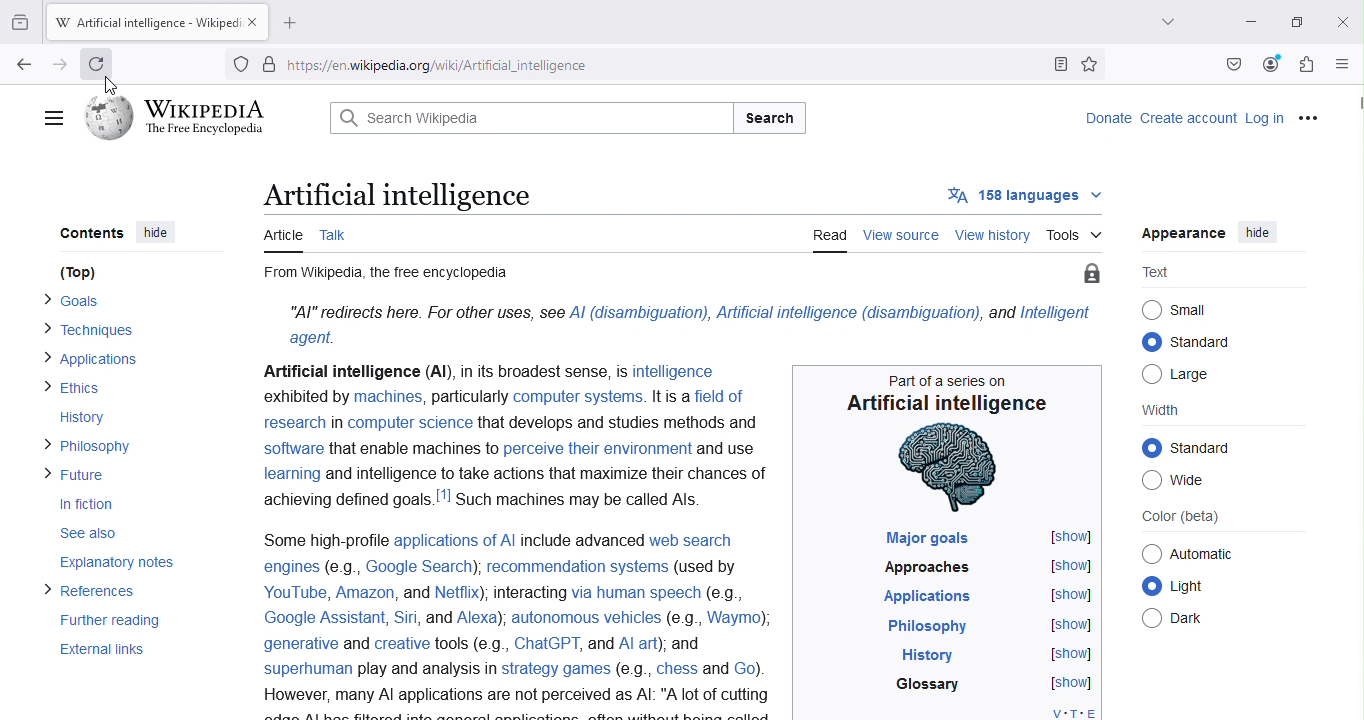 This screenshot has width=1364, height=720. I want to click on research in computer science, so click(366, 423).